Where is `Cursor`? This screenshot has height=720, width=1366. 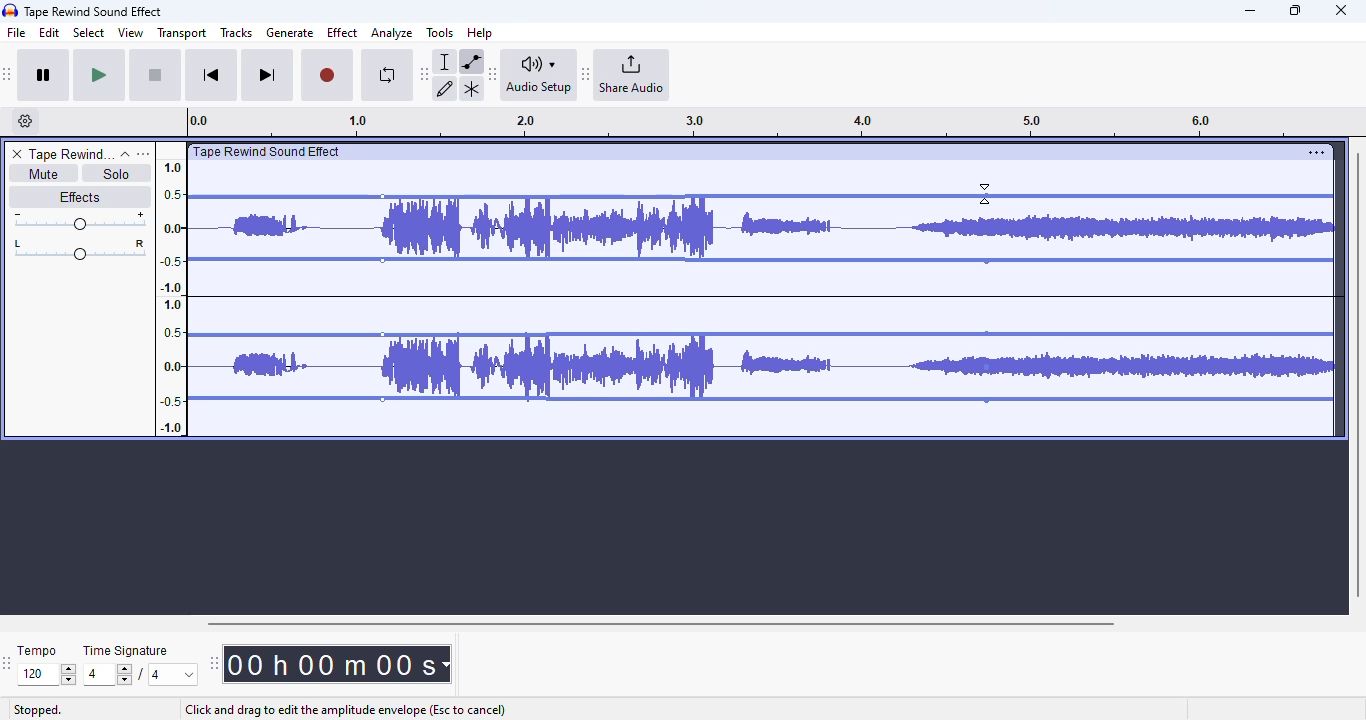 Cursor is located at coordinates (984, 193).